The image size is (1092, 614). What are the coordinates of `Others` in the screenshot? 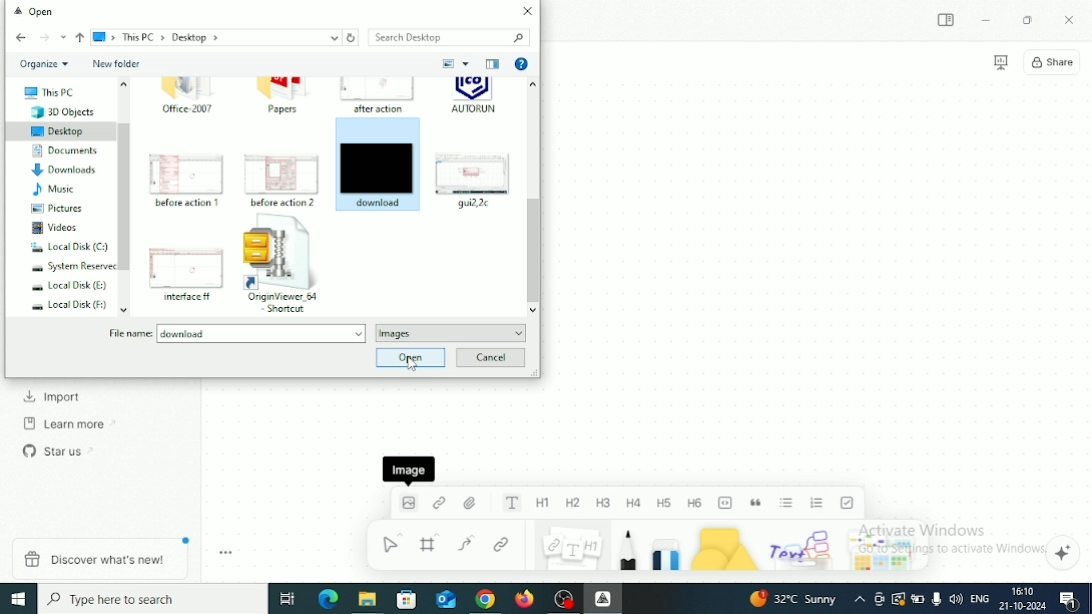 It's located at (803, 547).